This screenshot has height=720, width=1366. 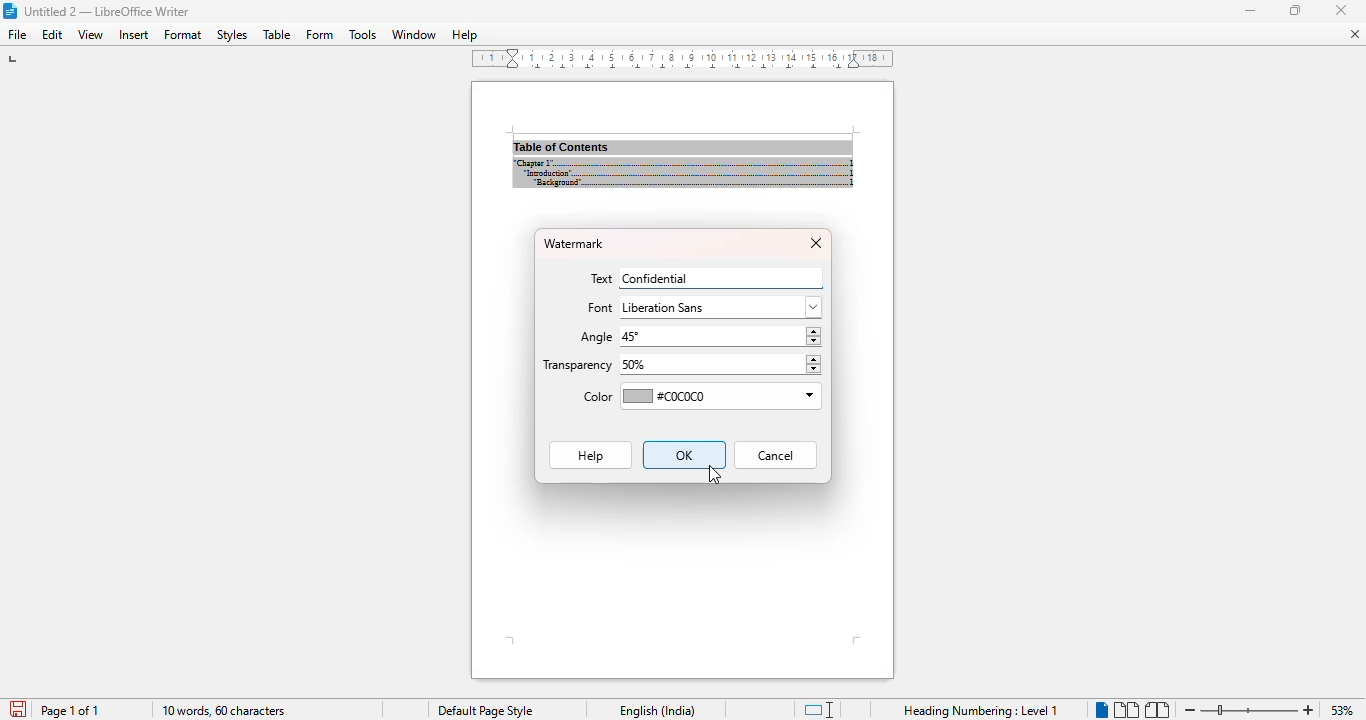 I want to click on #C0C0C0, so click(x=720, y=395).